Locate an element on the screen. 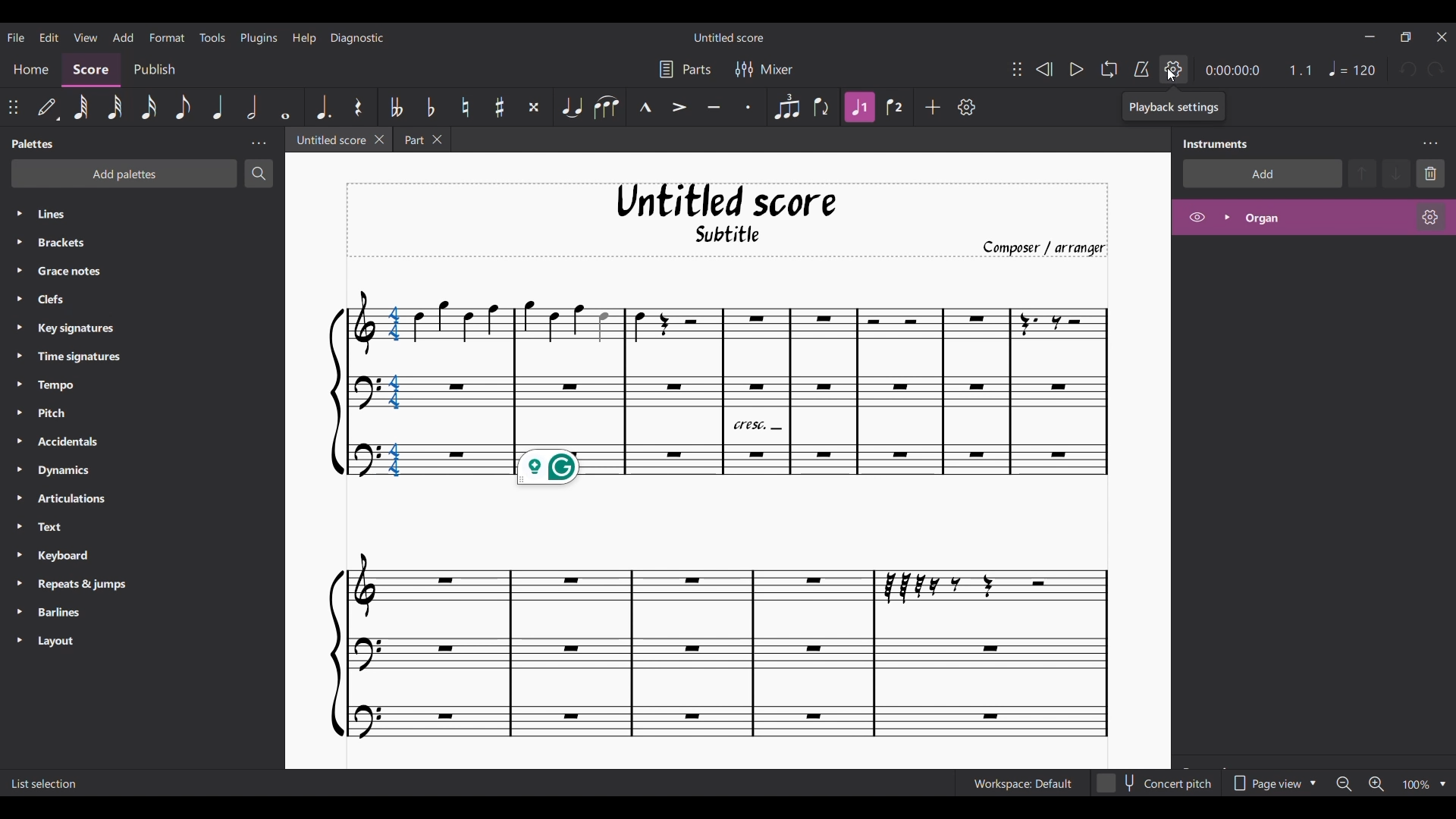 The image size is (1456, 819). Zoom options is located at coordinates (1443, 785).